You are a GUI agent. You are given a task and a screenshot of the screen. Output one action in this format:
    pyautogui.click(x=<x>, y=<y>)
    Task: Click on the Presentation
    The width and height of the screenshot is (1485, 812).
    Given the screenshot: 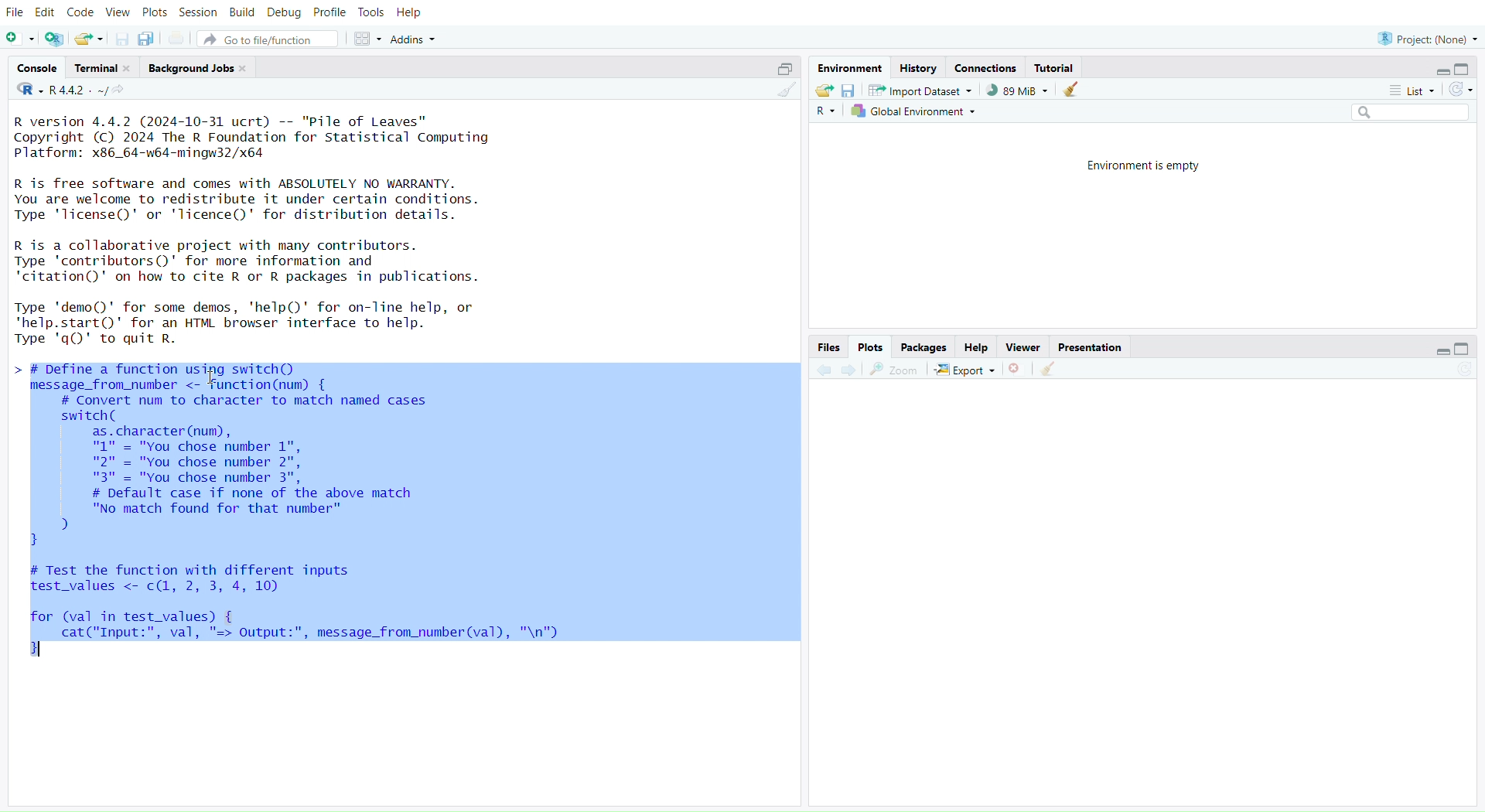 What is the action you would take?
    pyautogui.click(x=1090, y=347)
    